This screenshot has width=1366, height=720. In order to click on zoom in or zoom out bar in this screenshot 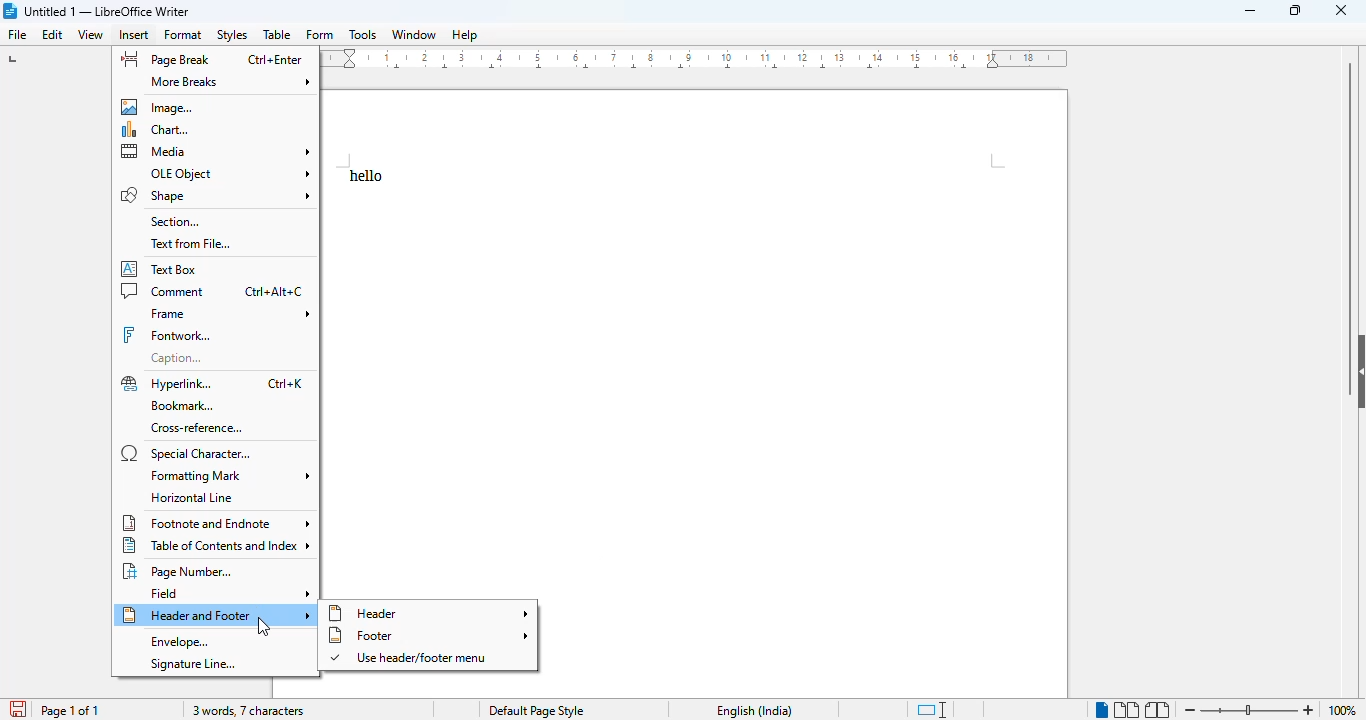, I will do `click(1248, 710)`.